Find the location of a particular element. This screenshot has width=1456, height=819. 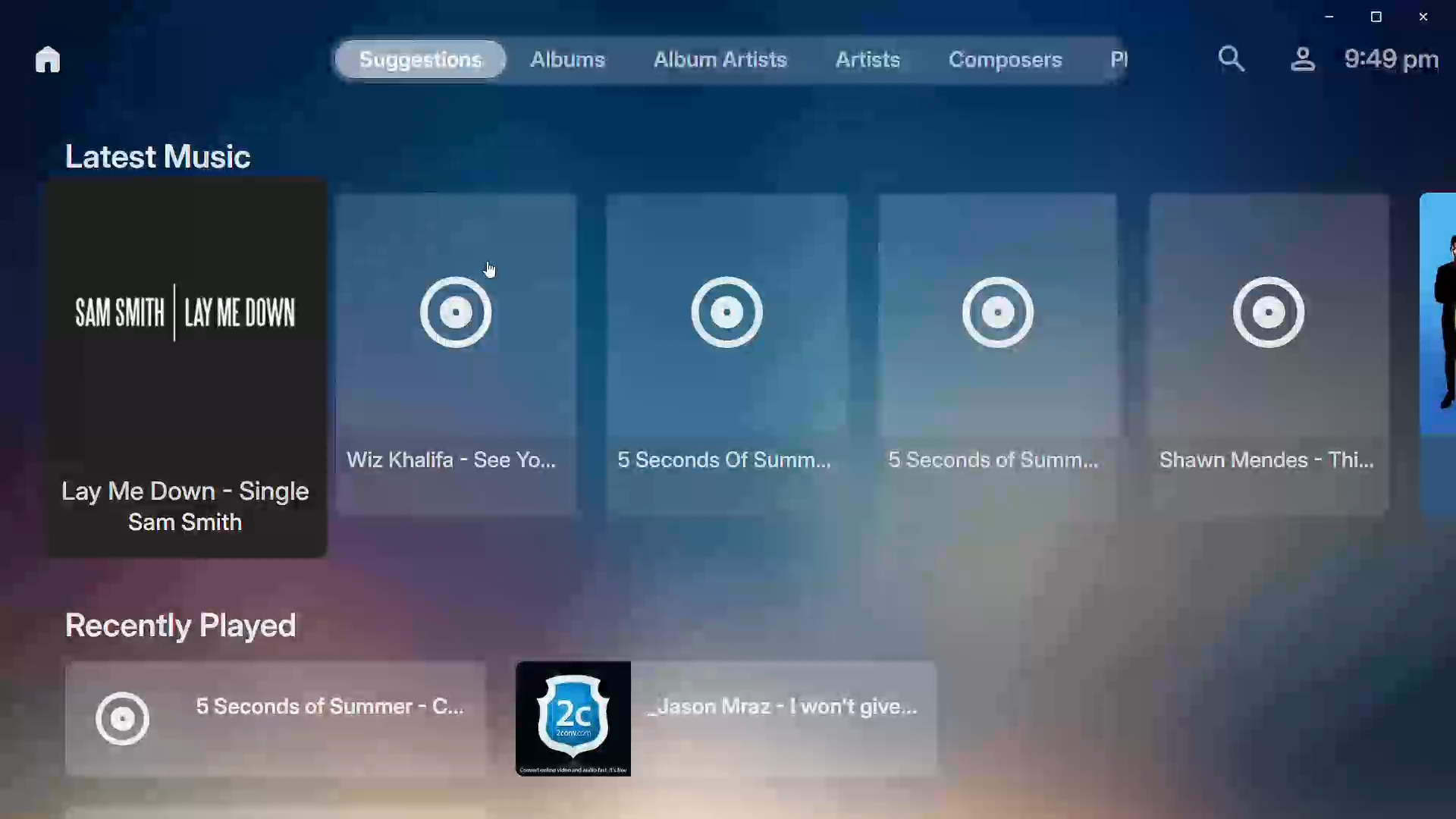

P is located at coordinates (1111, 60).